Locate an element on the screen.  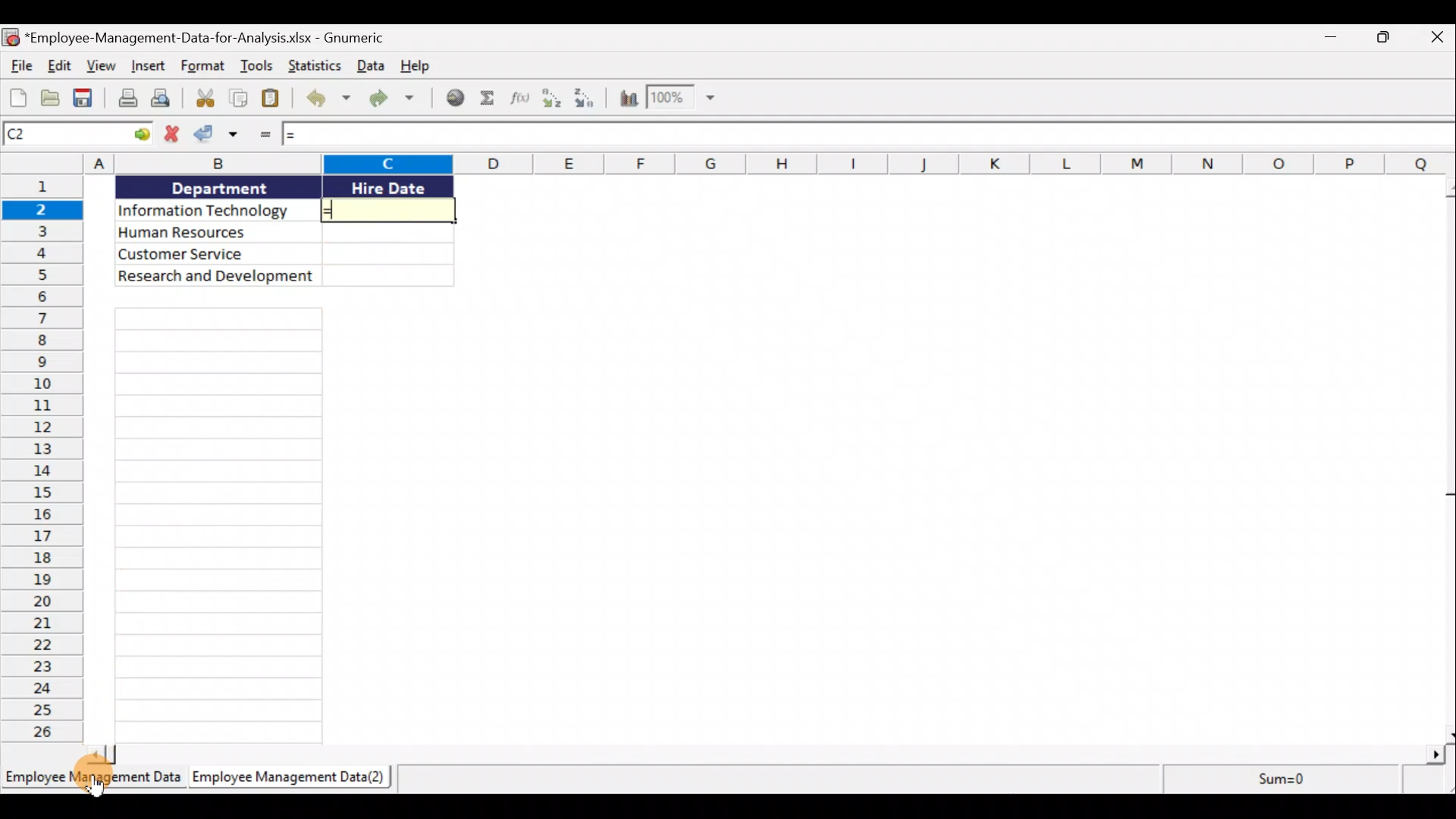
Open a file is located at coordinates (51, 99).